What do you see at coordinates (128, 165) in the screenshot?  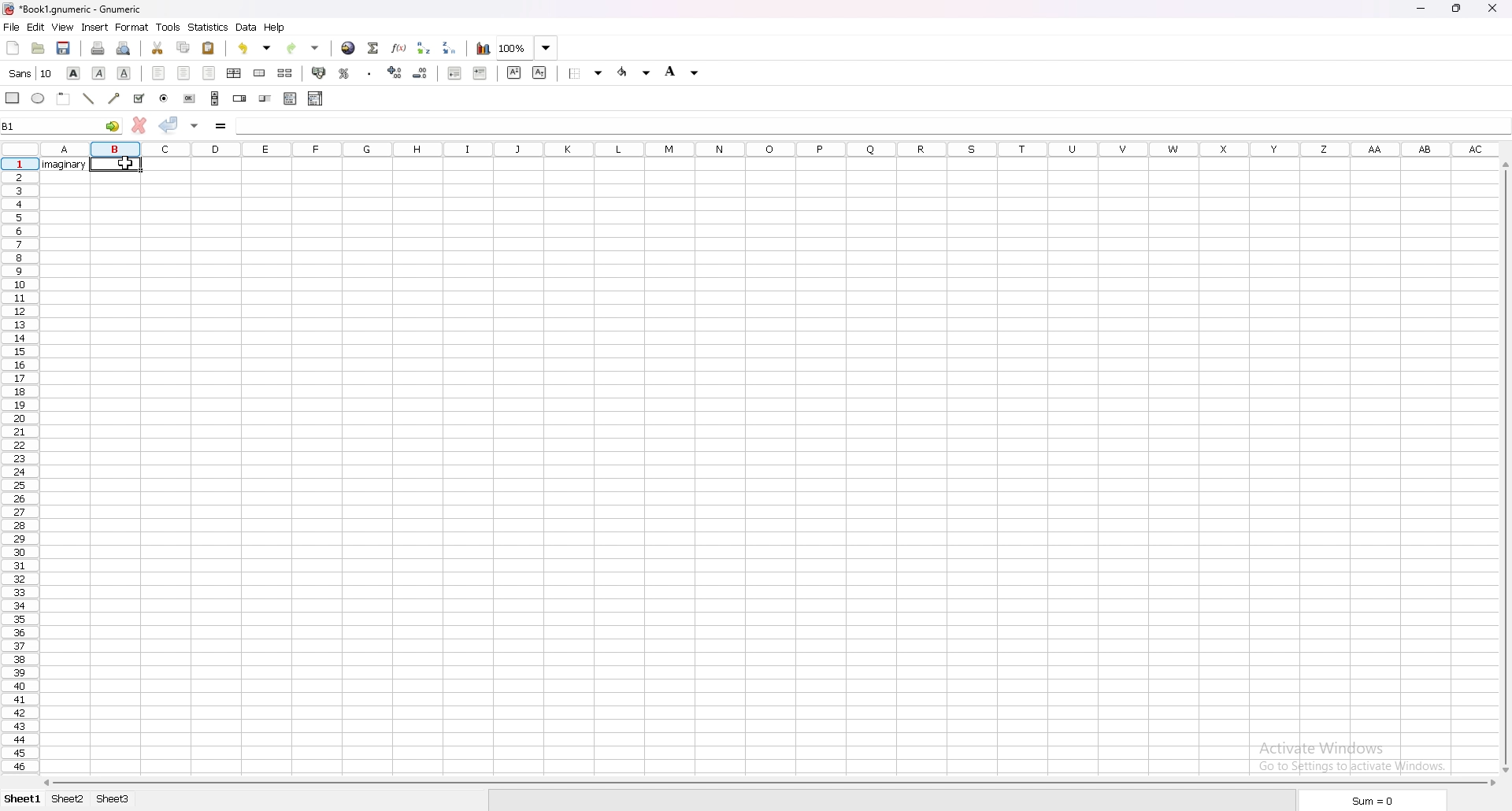 I see `cursor` at bounding box center [128, 165].